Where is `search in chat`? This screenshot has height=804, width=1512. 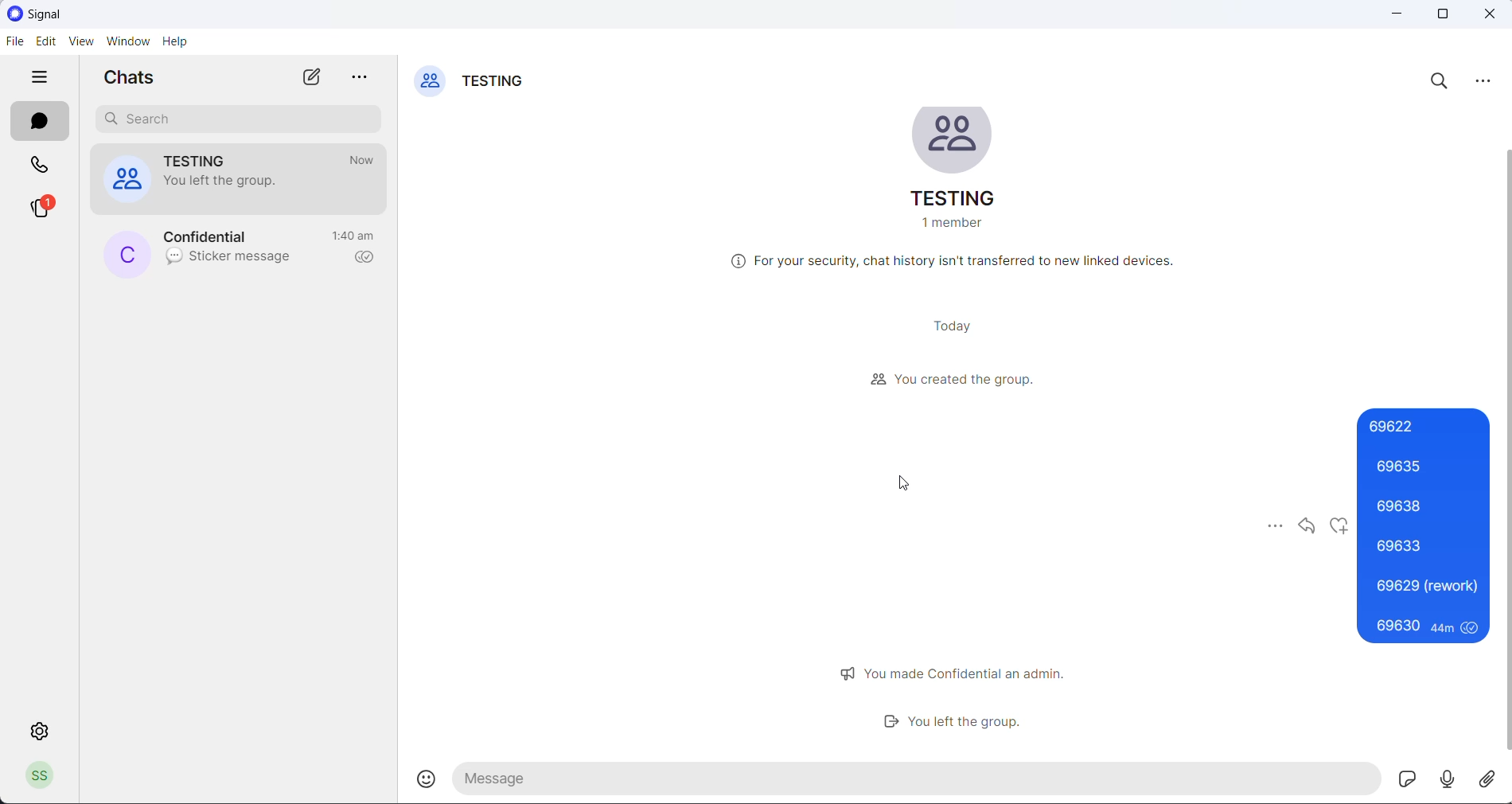
search in chat is located at coordinates (1443, 84).